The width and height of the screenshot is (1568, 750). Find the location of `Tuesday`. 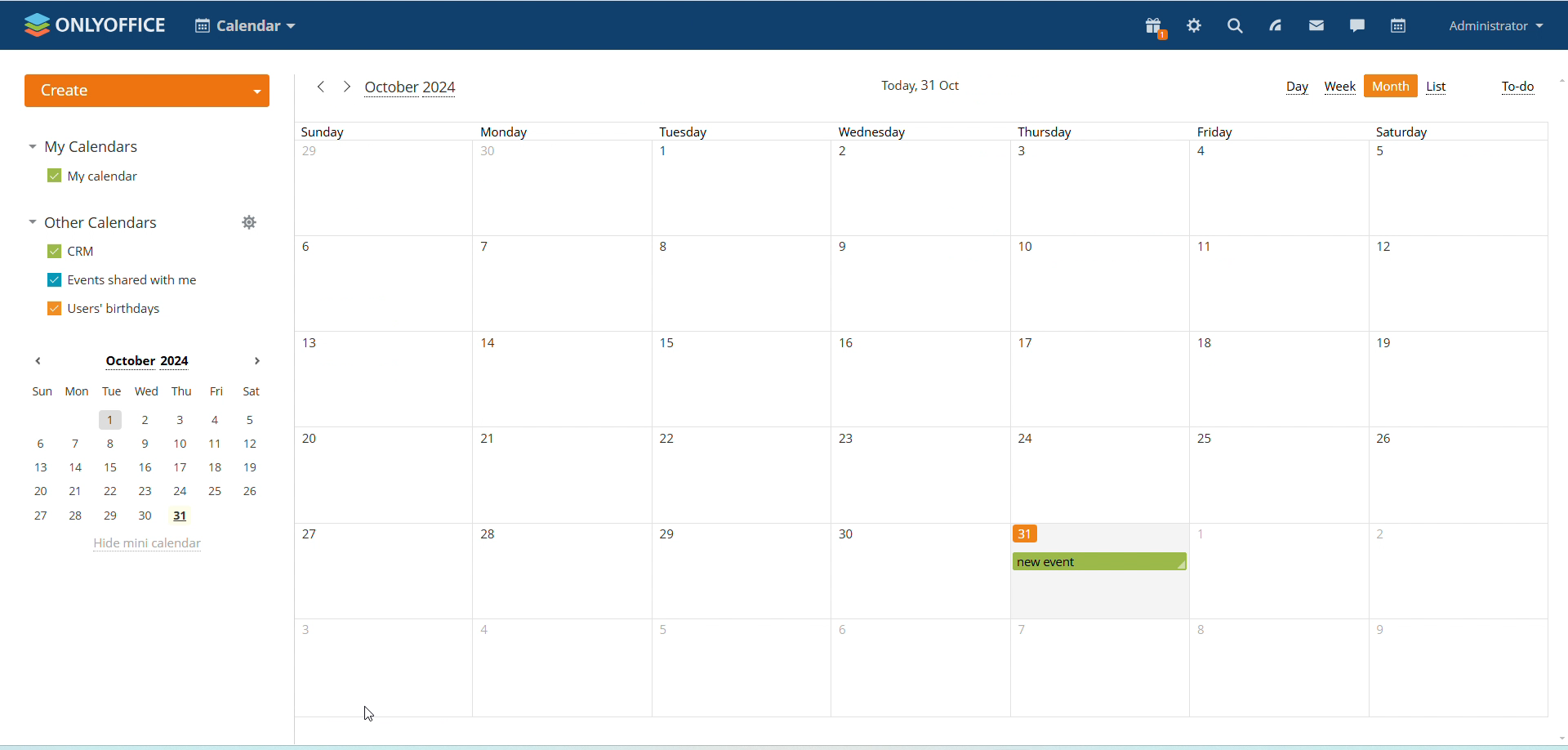

Tuesday is located at coordinates (737, 421).